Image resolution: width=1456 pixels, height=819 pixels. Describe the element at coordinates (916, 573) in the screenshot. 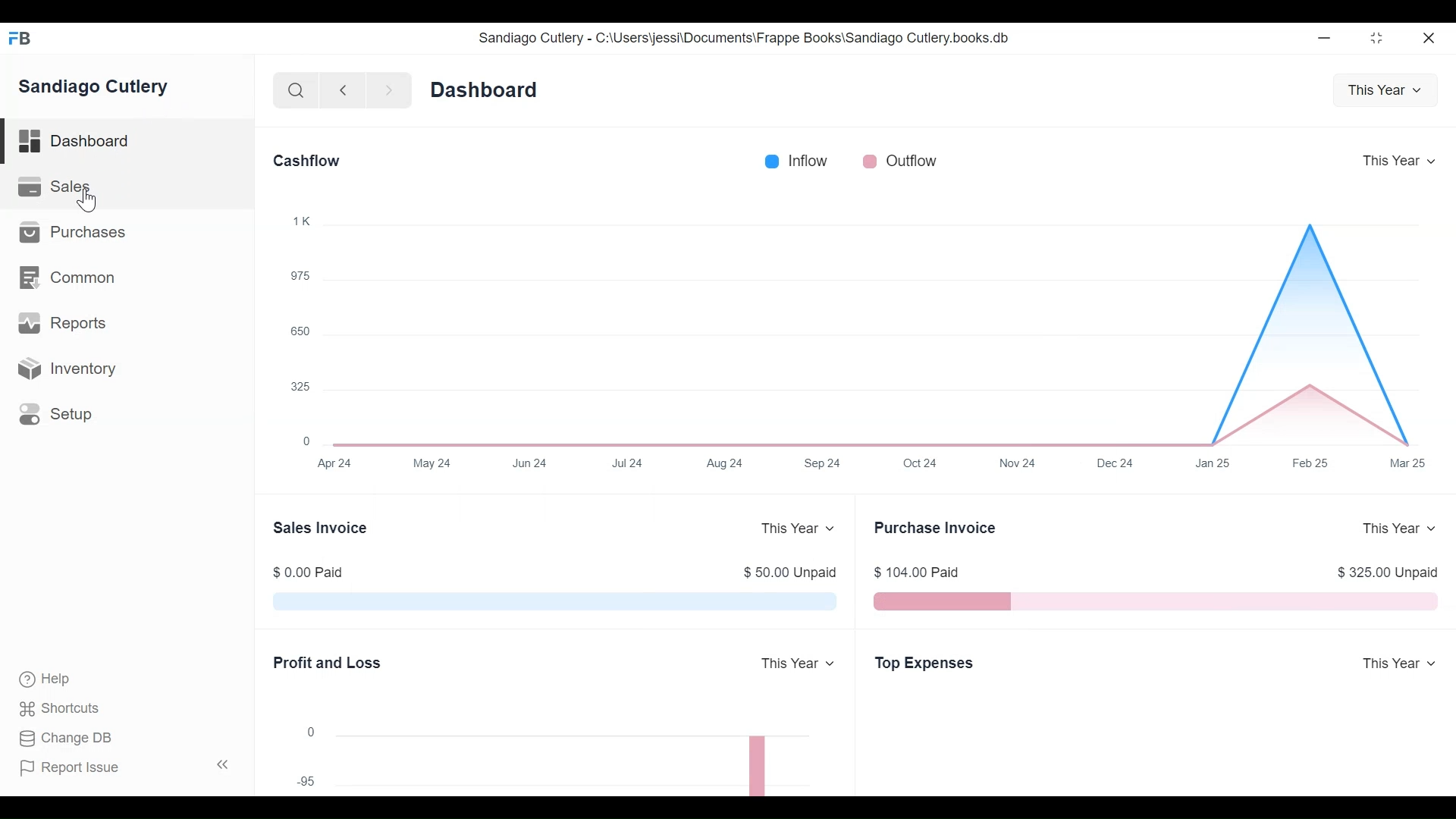

I see `$ 104.00 Paid` at that location.